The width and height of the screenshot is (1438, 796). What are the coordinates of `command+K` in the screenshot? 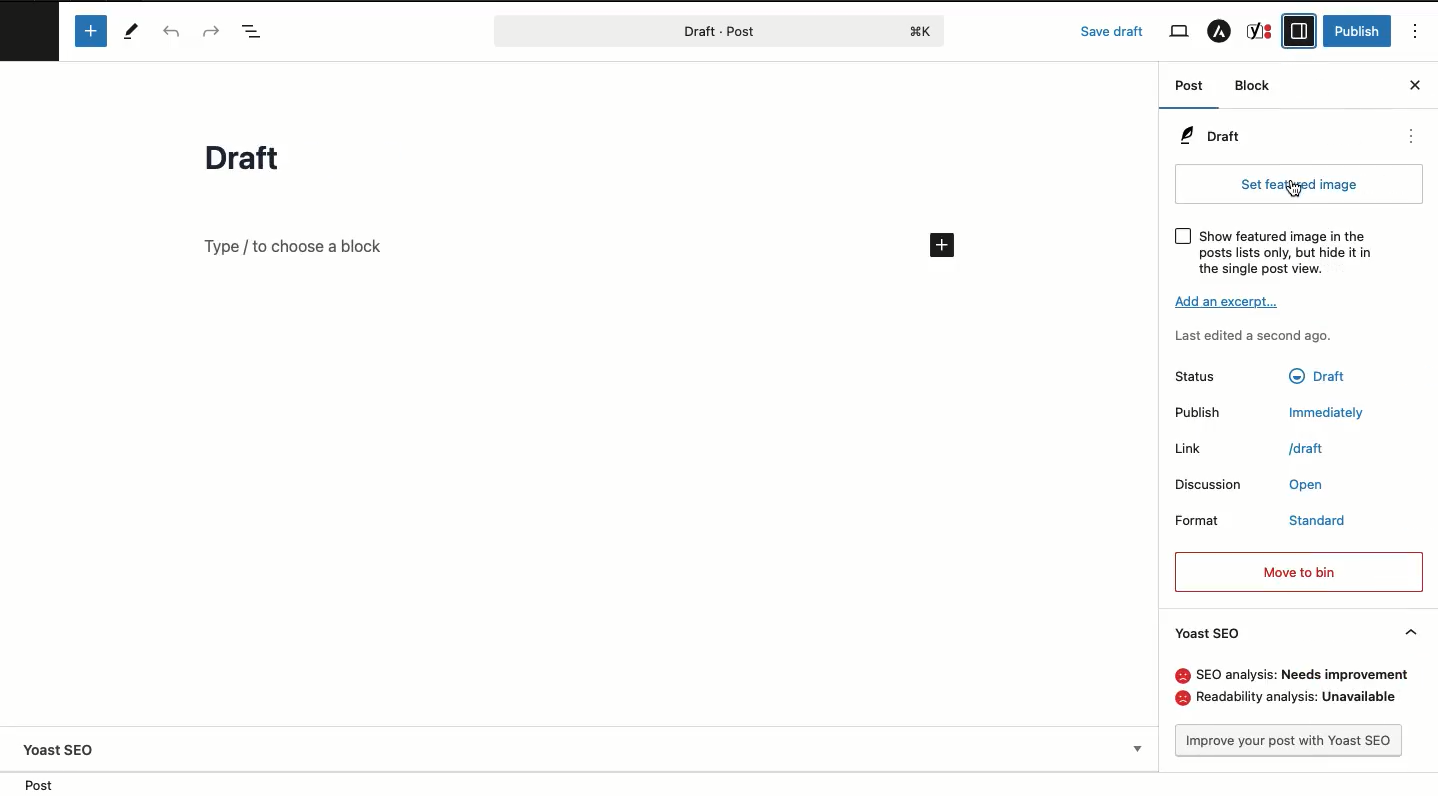 It's located at (922, 31).